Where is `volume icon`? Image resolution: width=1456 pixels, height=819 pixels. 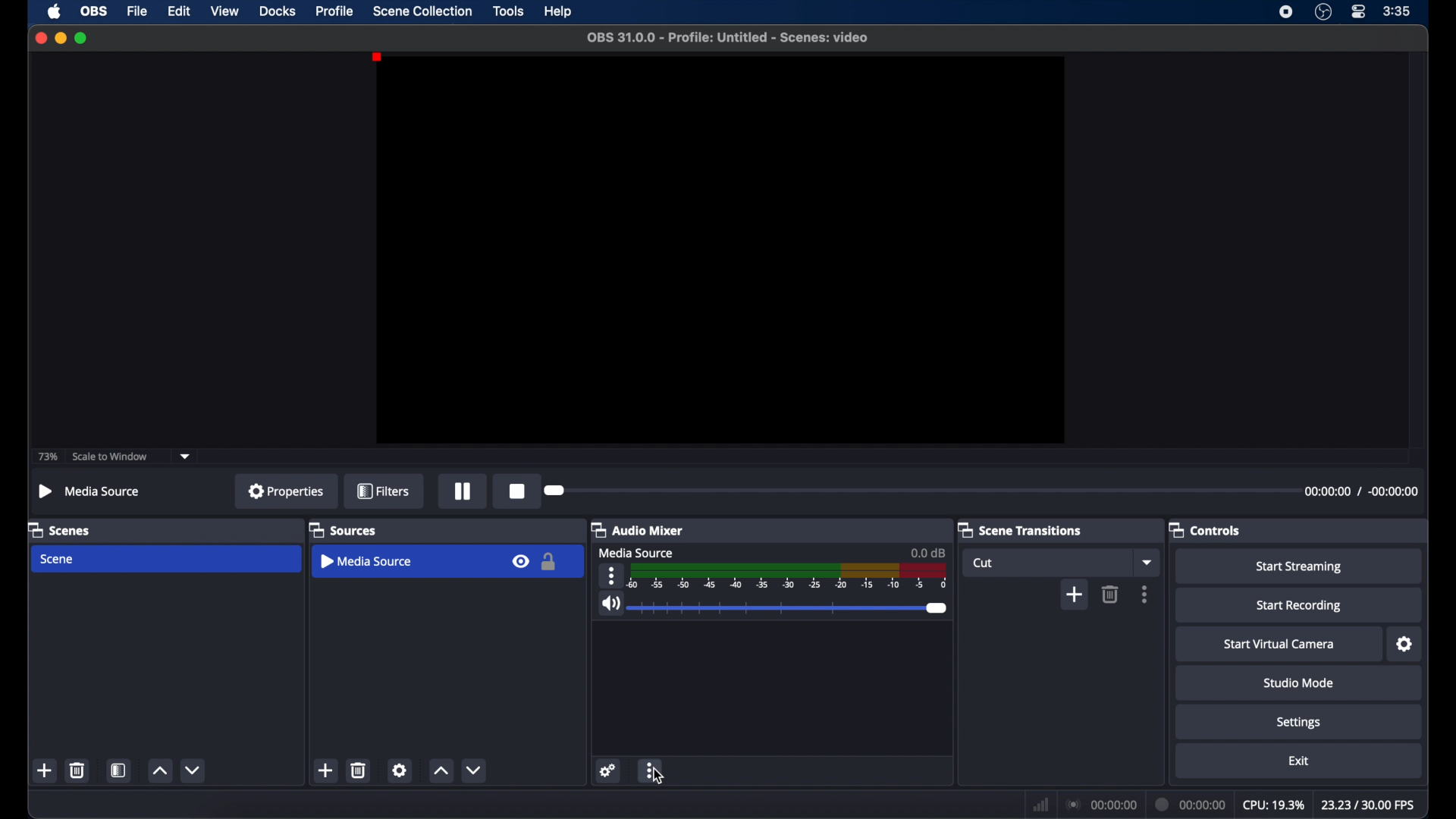 volume icon is located at coordinates (609, 604).